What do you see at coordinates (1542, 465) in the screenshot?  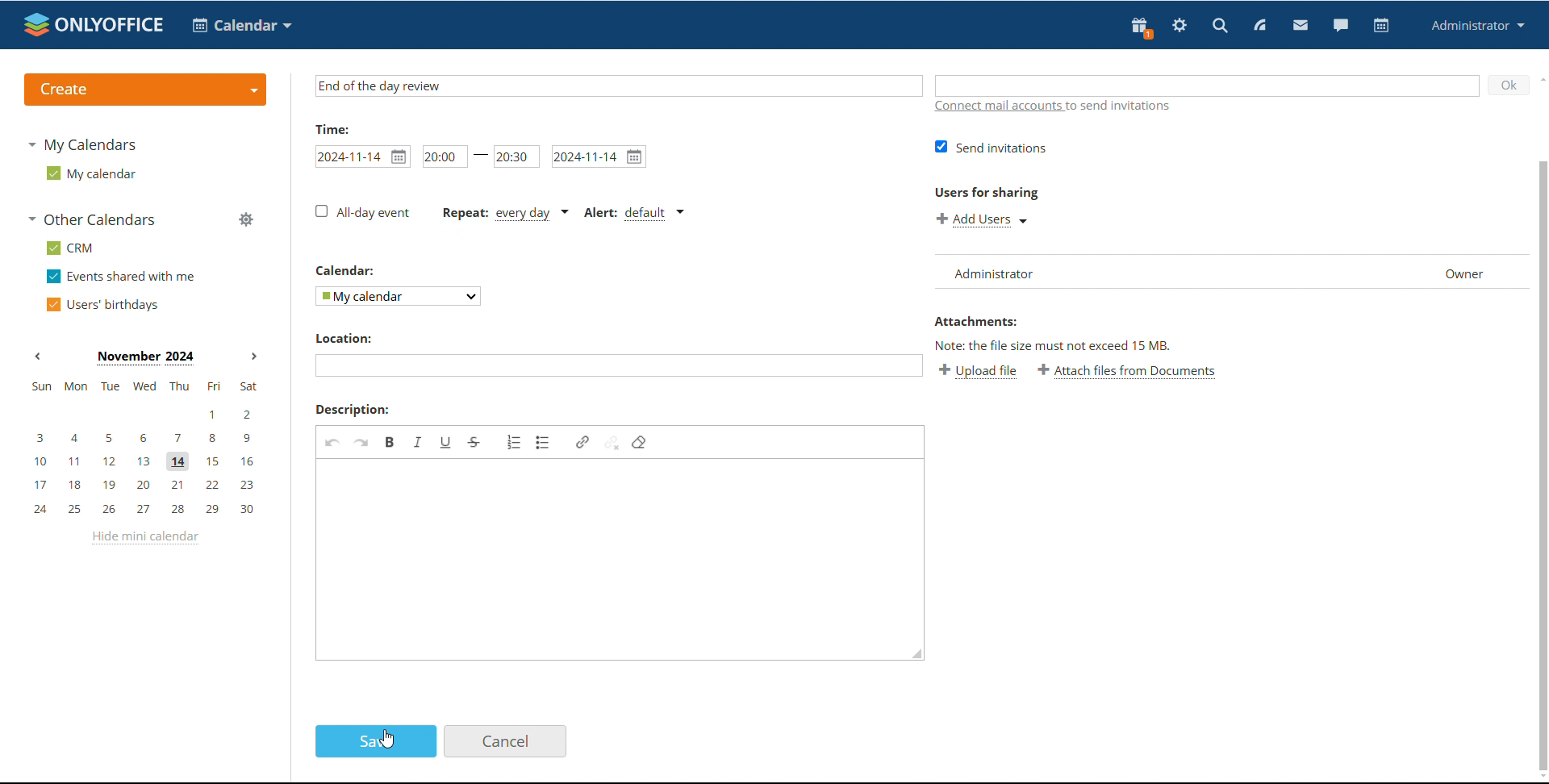 I see `Vertical scroll bar` at bounding box center [1542, 465].